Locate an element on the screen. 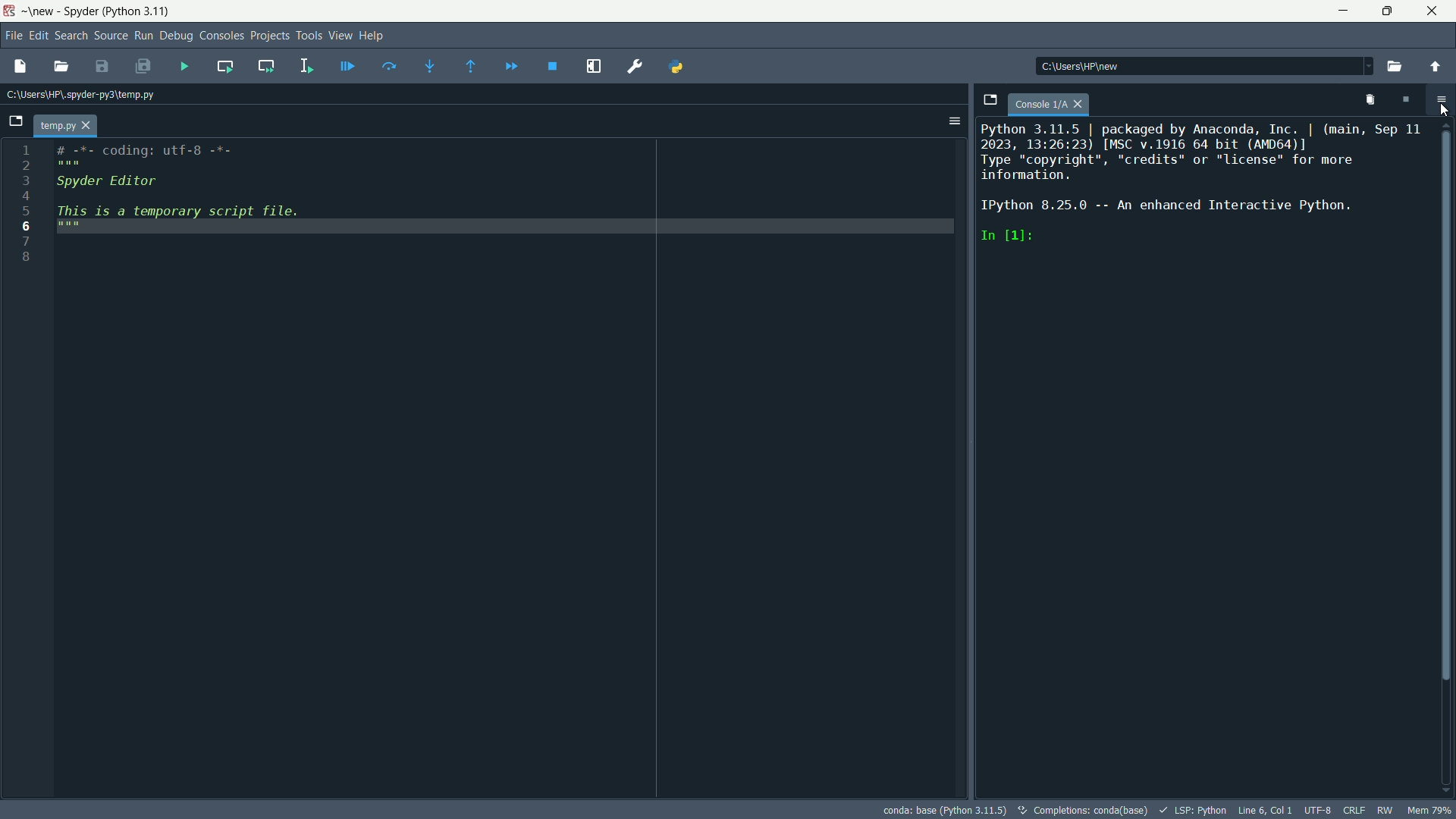 This screenshot has width=1456, height=819. execute current line is located at coordinates (388, 66).